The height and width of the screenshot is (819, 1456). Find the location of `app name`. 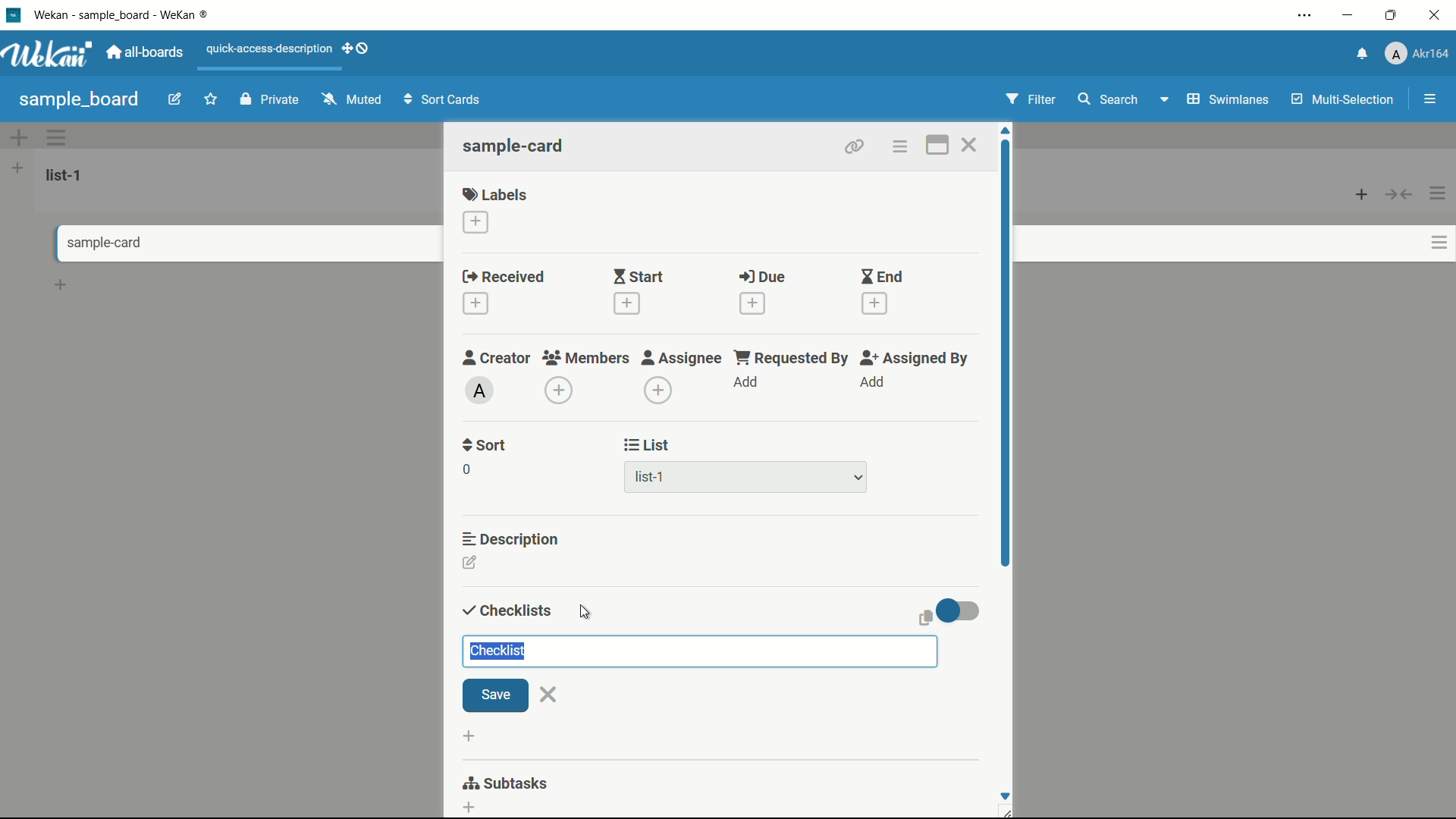

app name is located at coordinates (124, 14).